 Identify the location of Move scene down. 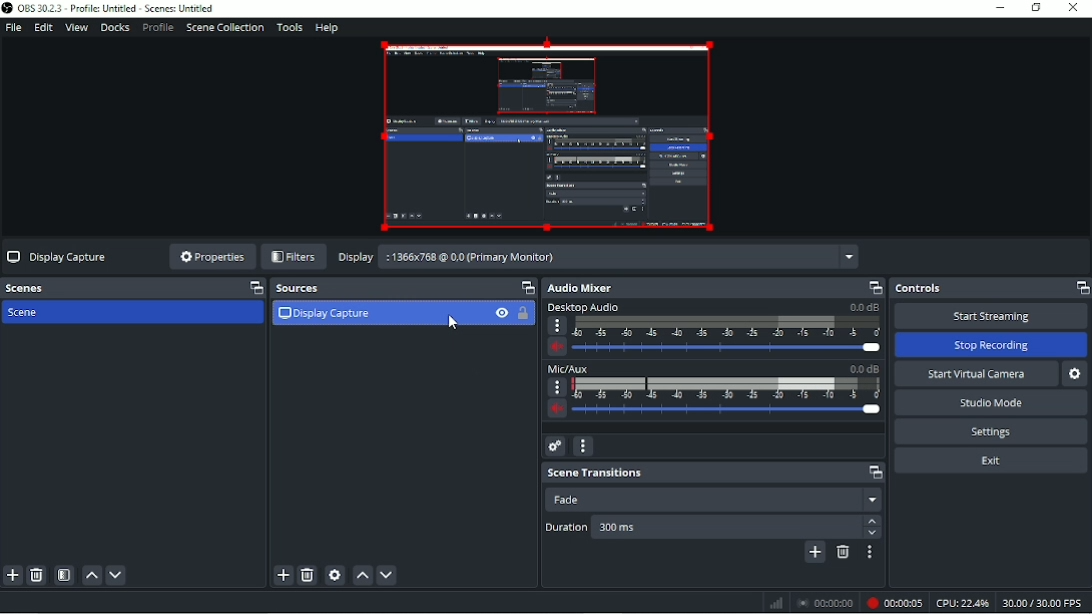
(116, 575).